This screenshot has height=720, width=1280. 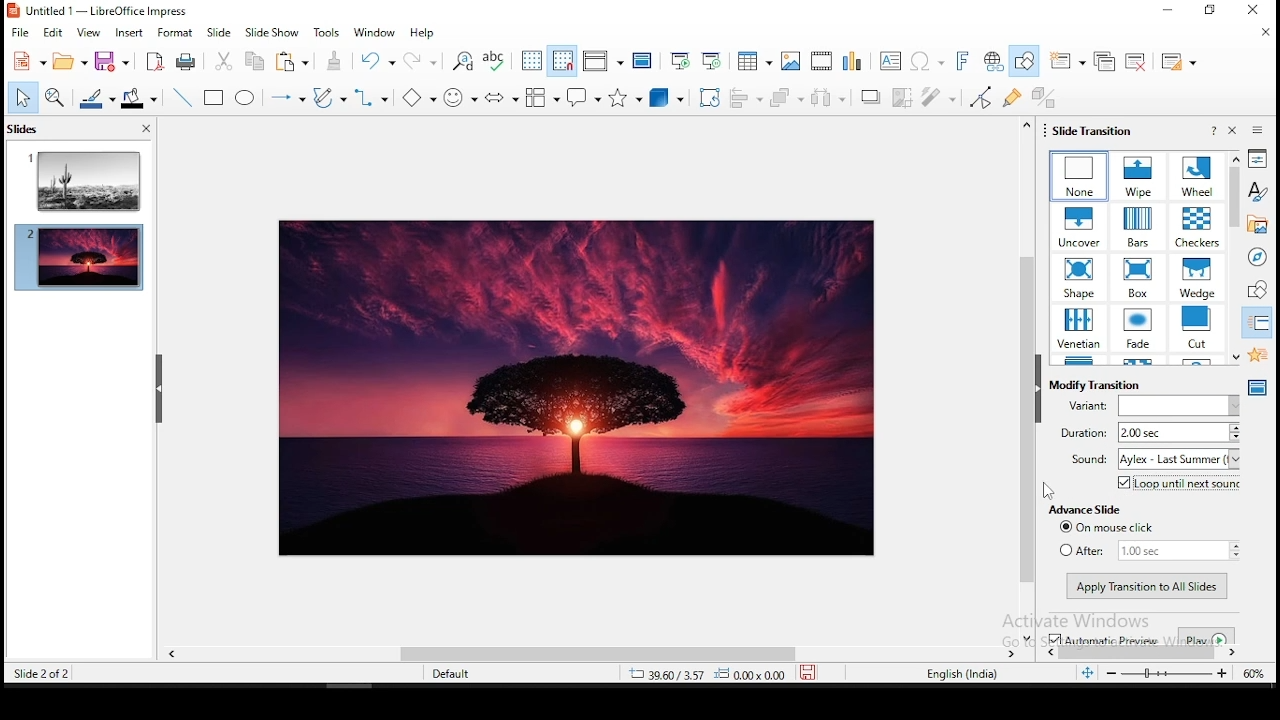 What do you see at coordinates (961, 61) in the screenshot?
I see `fontwork text` at bounding box center [961, 61].